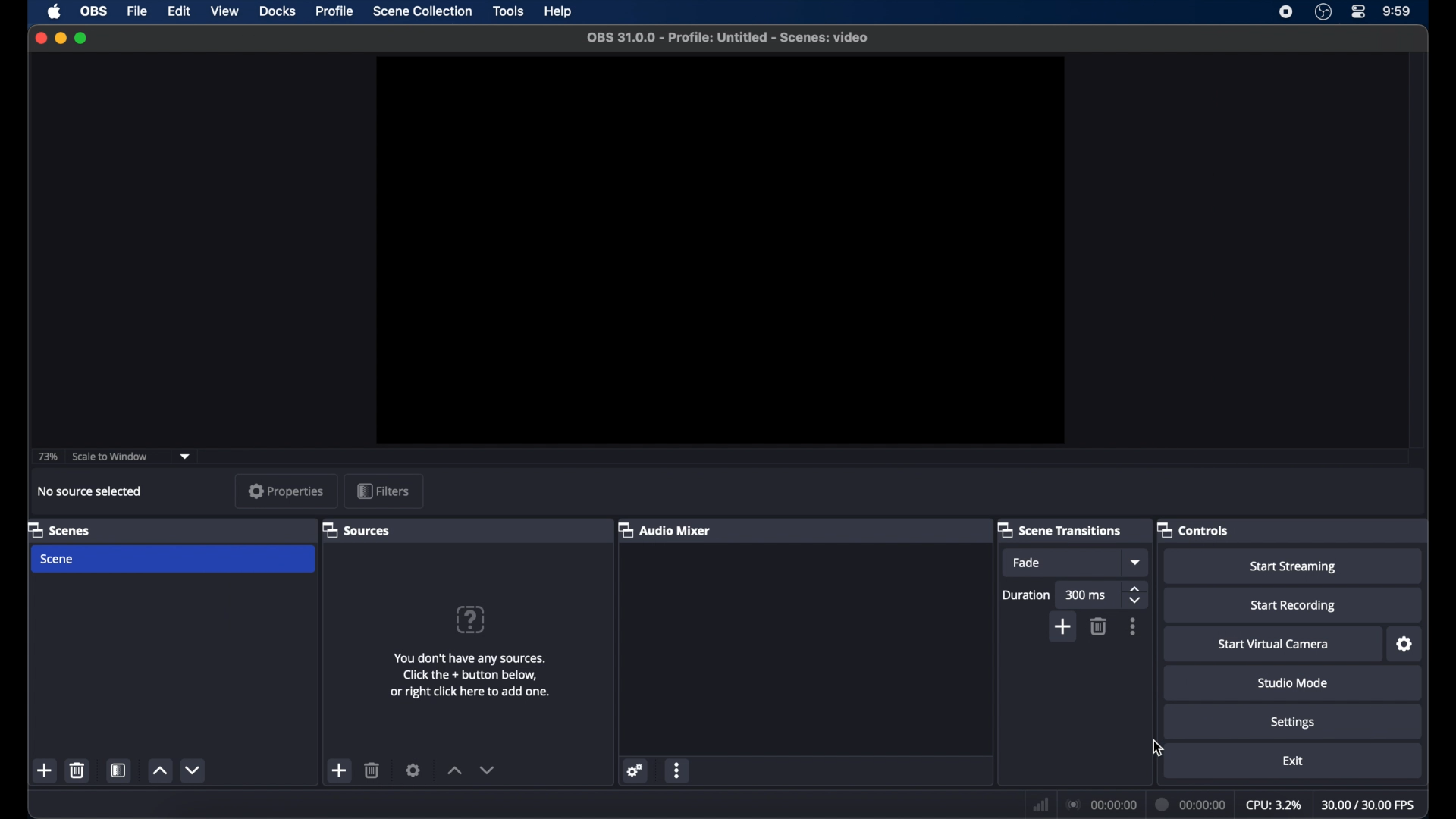 The width and height of the screenshot is (1456, 819). I want to click on maximize, so click(81, 39).